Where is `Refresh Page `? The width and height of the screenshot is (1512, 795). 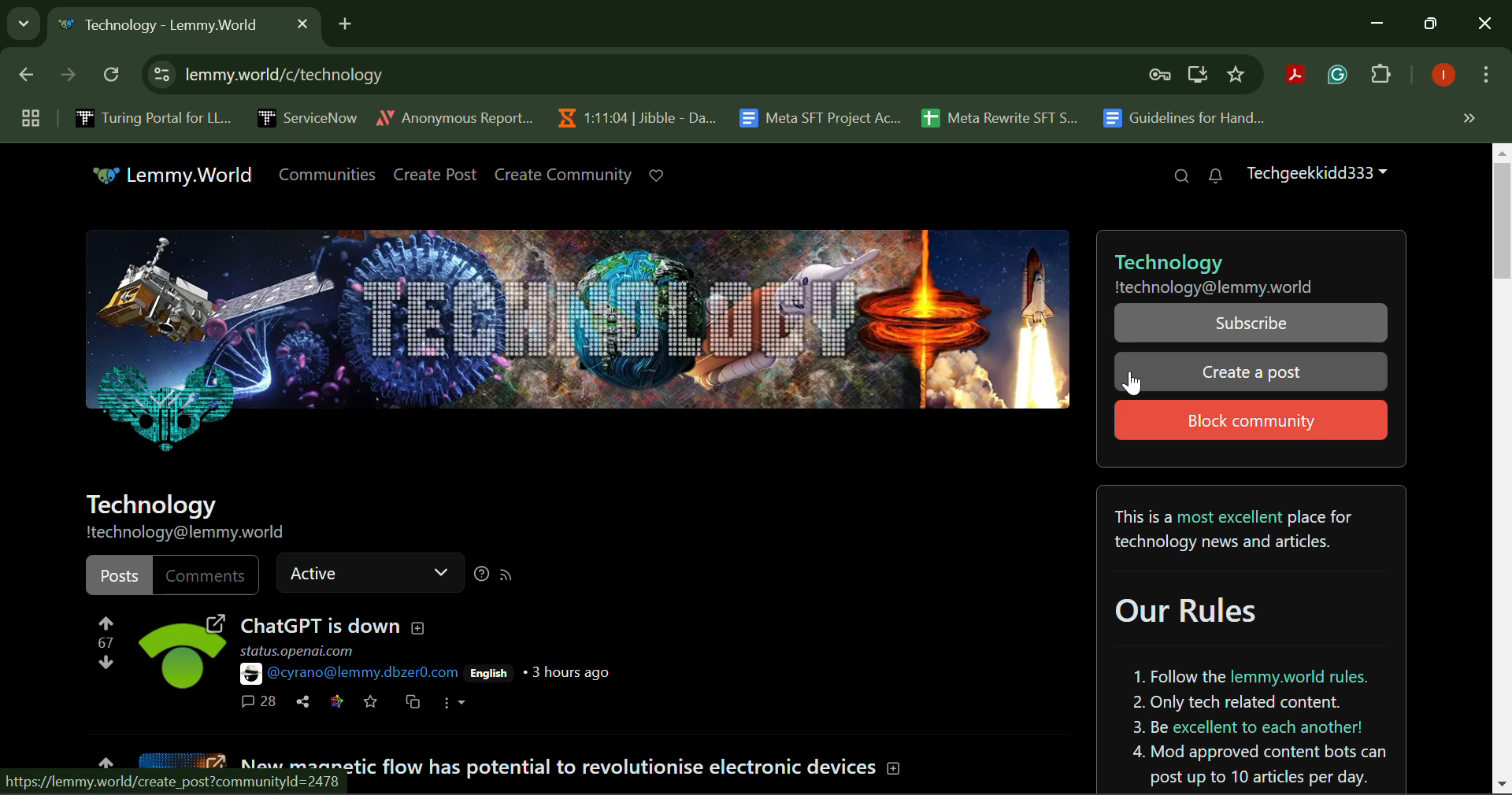
Refresh Page  is located at coordinates (113, 76).